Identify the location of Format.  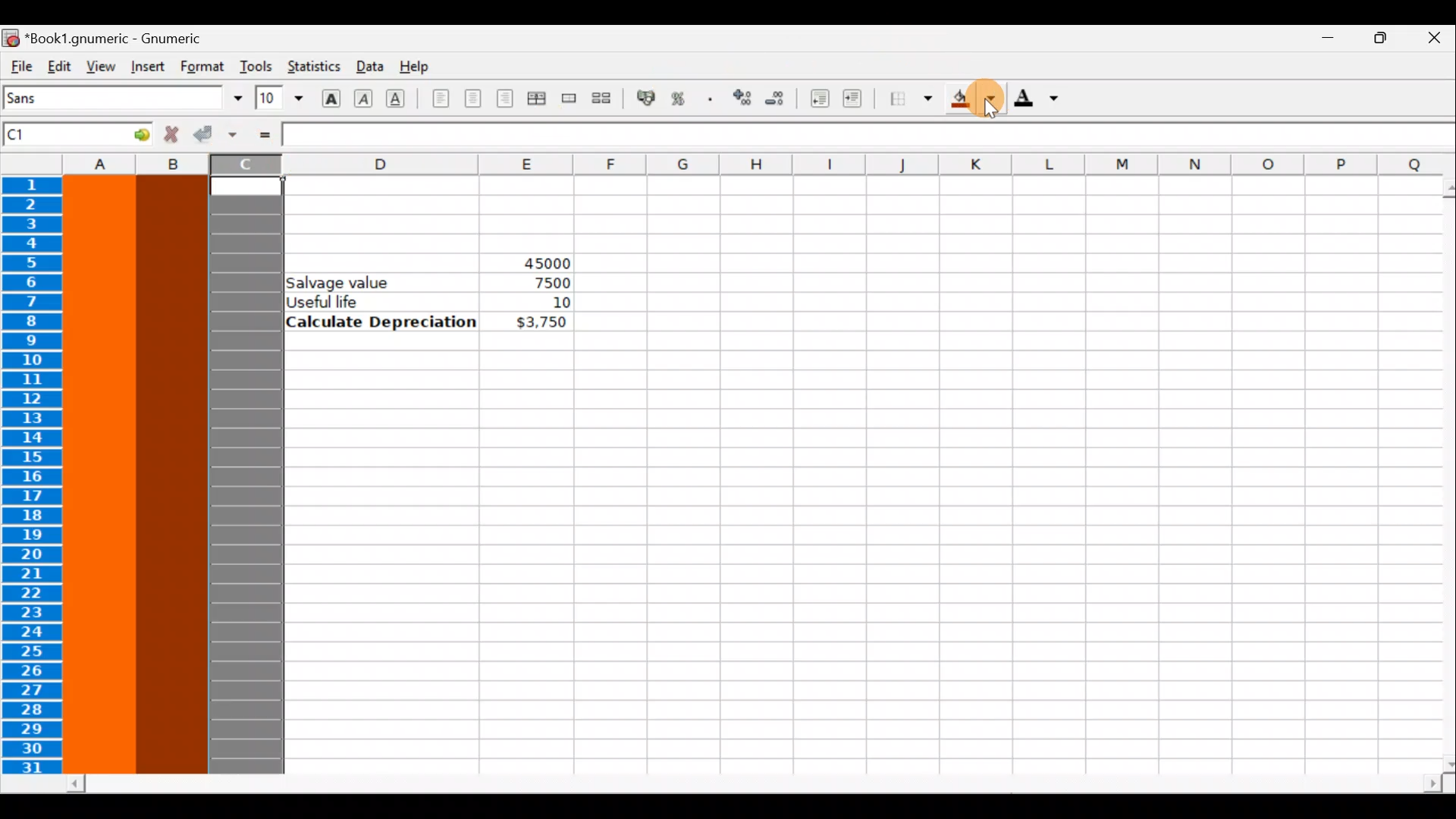
(204, 66).